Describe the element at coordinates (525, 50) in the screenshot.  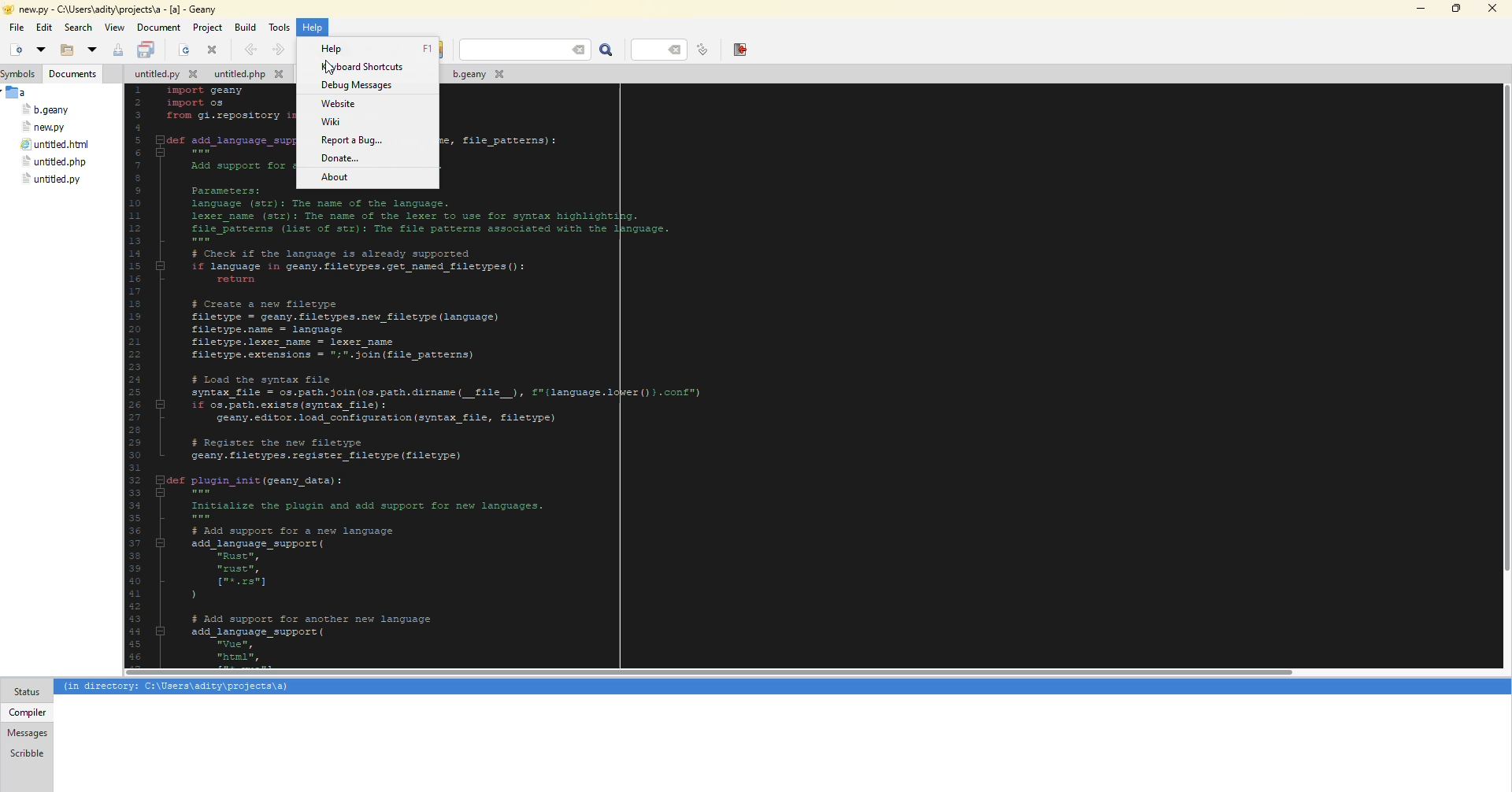
I see `search` at that location.